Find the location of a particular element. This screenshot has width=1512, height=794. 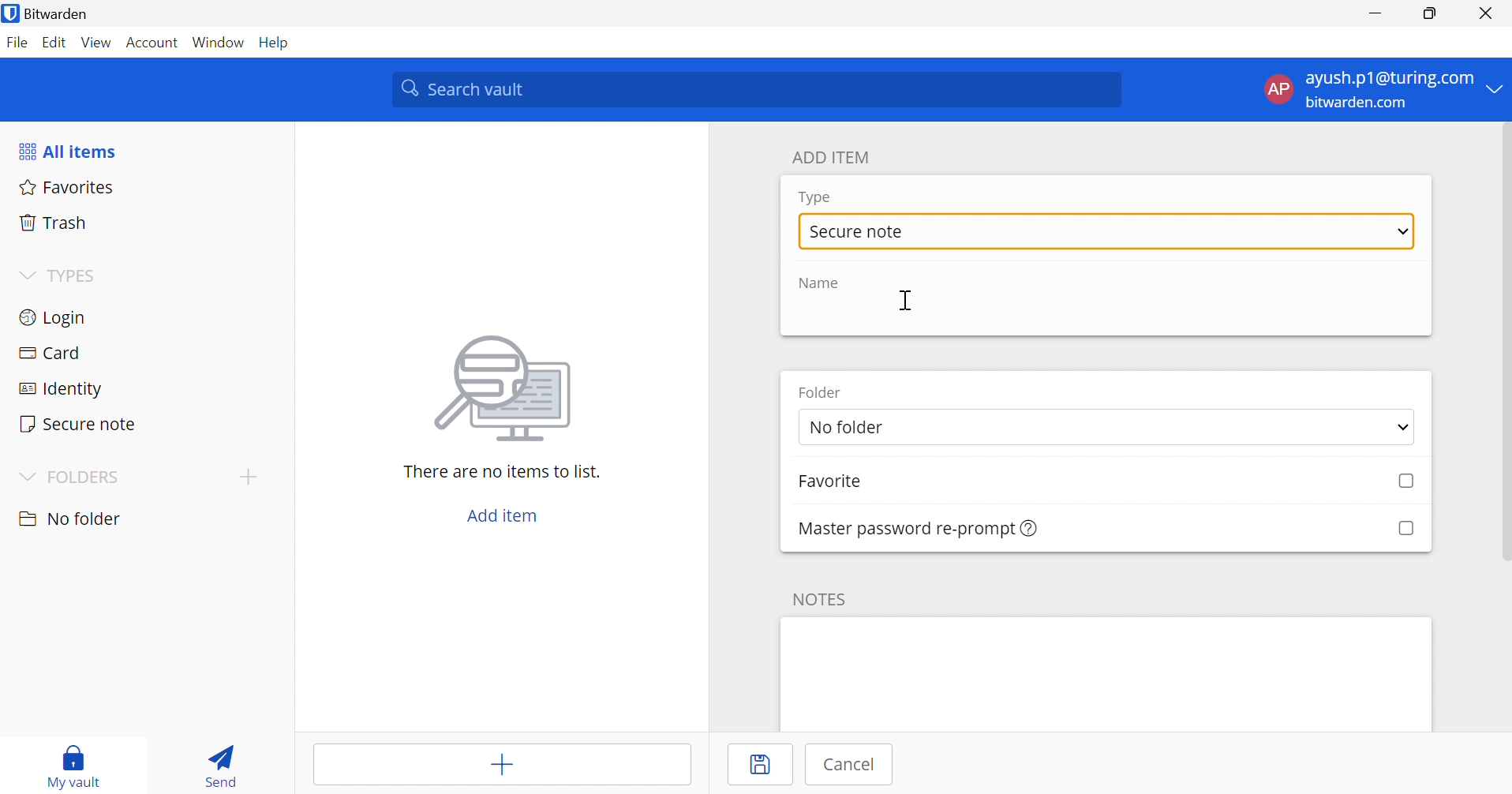

Cursor is located at coordinates (910, 302).